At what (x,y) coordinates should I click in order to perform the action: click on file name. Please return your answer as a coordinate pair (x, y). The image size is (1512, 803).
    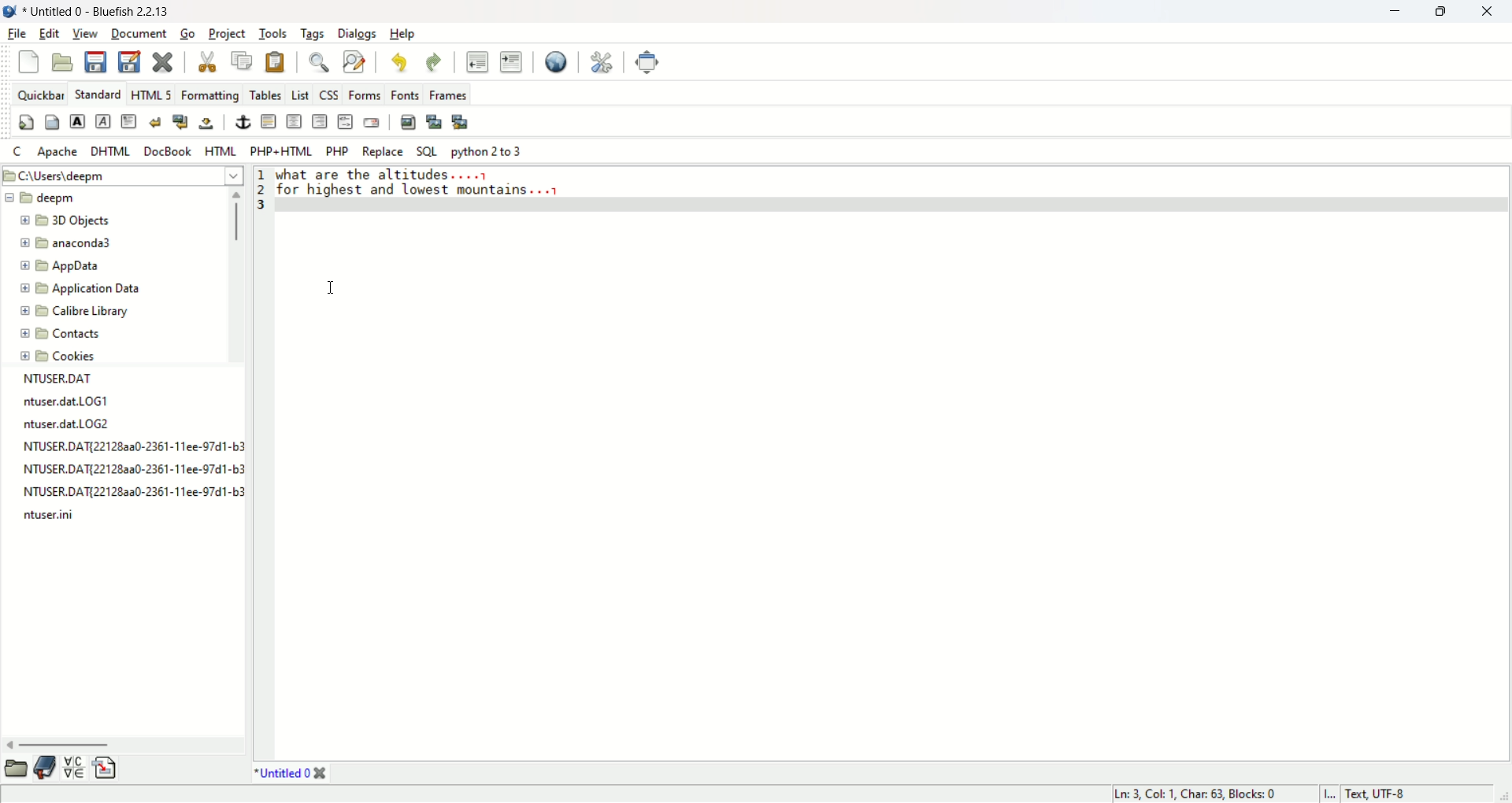
    Looking at the image, I should click on (78, 379).